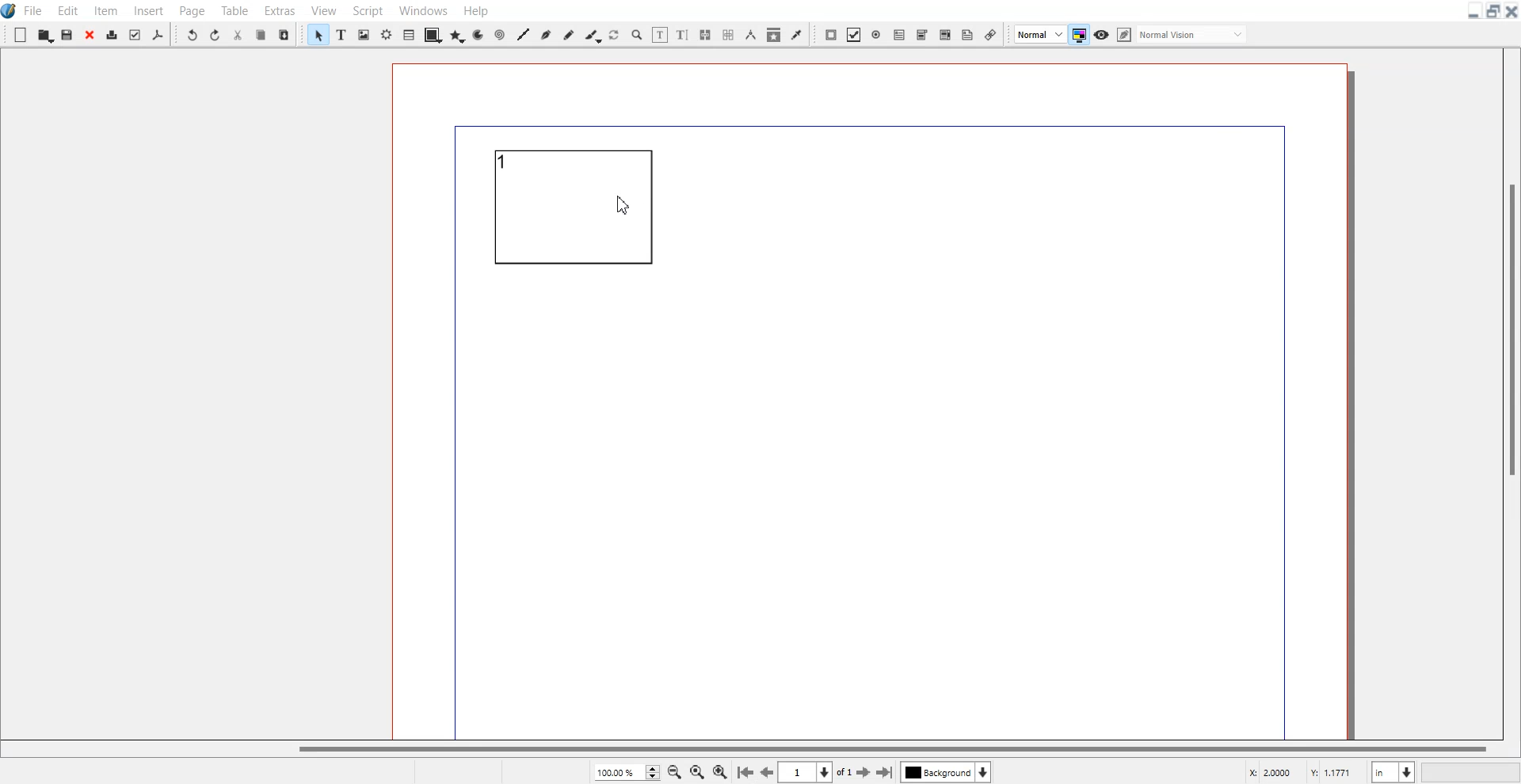 This screenshot has width=1521, height=784. I want to click on Cut, so click(238, 33).